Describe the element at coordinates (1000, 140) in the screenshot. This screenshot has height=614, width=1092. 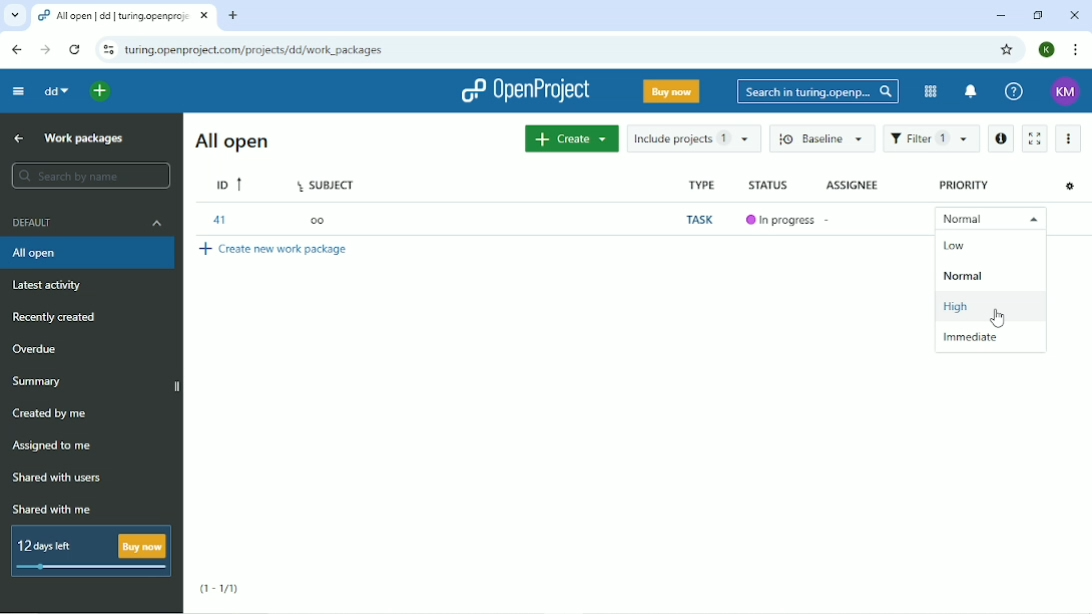
I see `Open details view` at that location.